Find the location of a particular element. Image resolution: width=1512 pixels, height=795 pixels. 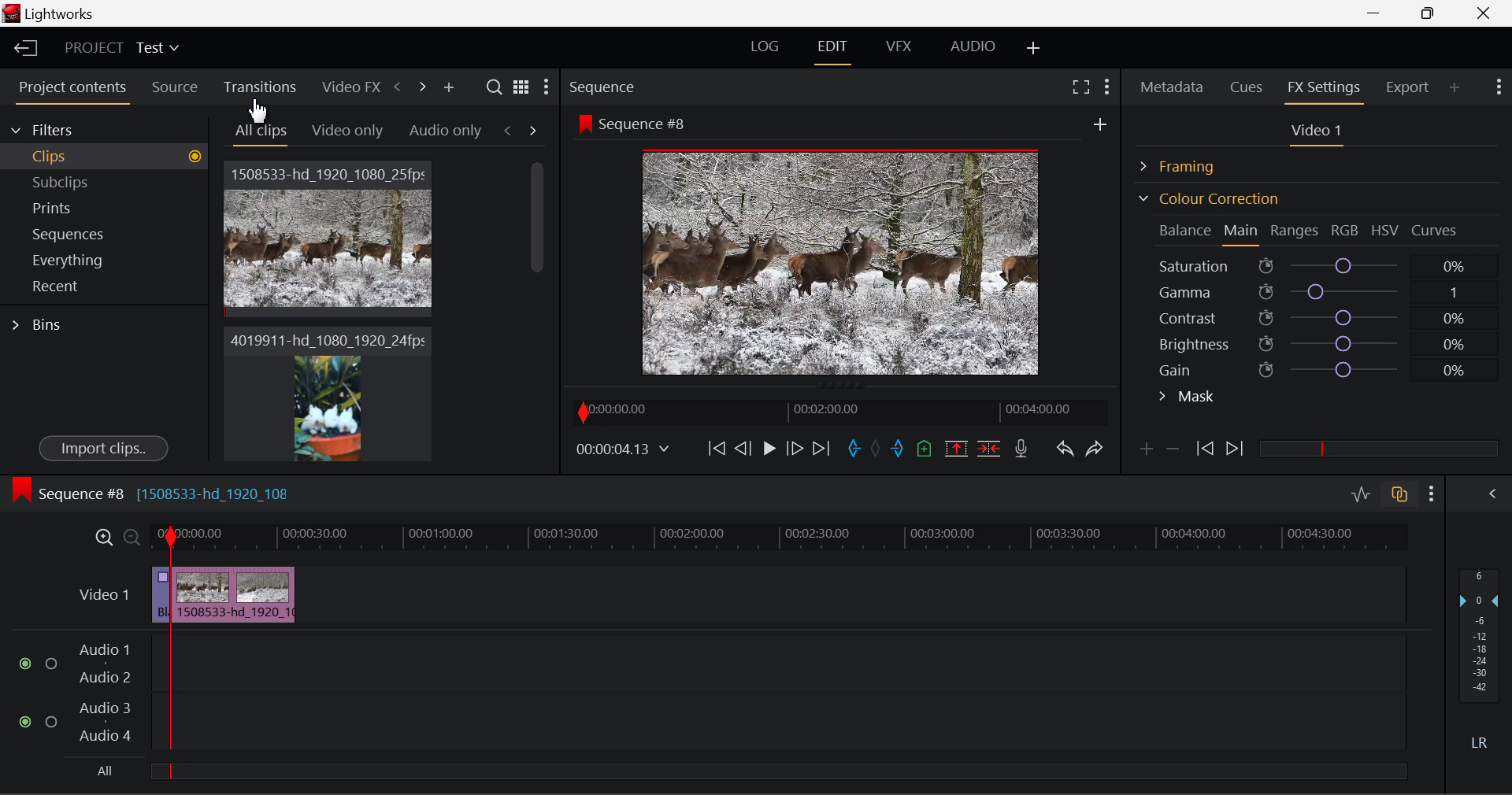

Today Tab Open is located at coordinates (261, 131).